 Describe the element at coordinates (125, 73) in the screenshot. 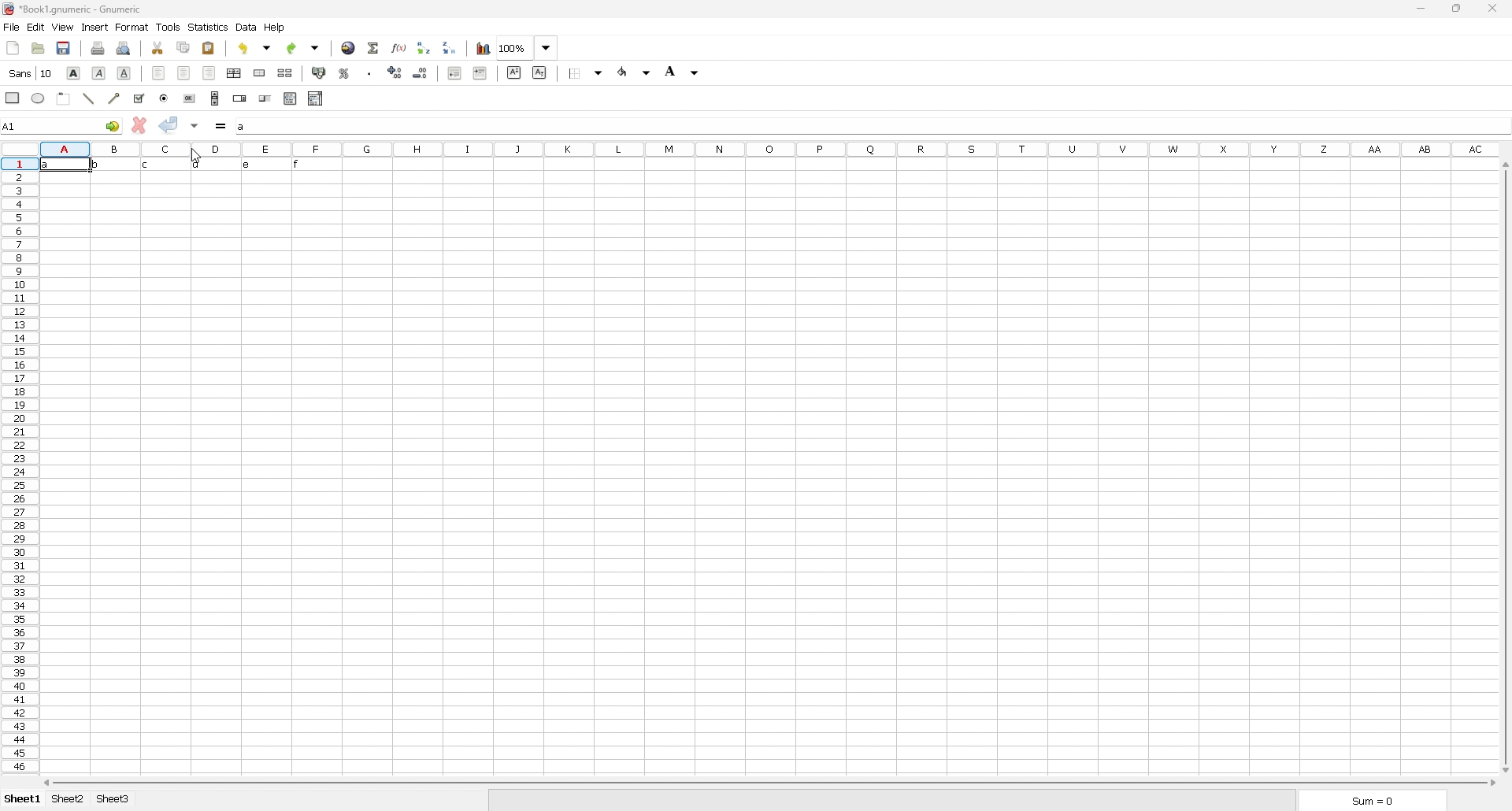

I see `underline` at that location.